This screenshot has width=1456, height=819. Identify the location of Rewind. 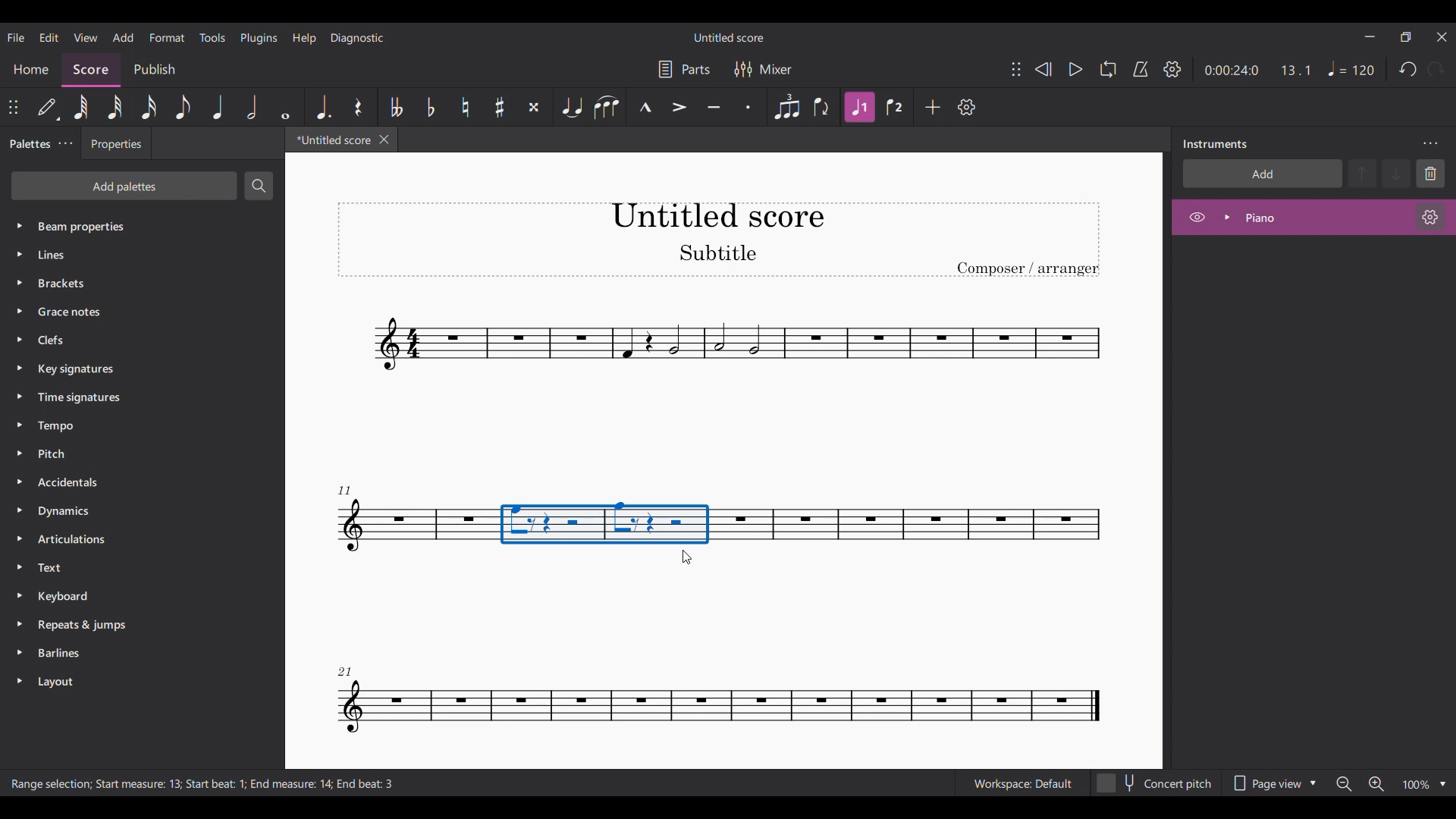
(1043, 69).